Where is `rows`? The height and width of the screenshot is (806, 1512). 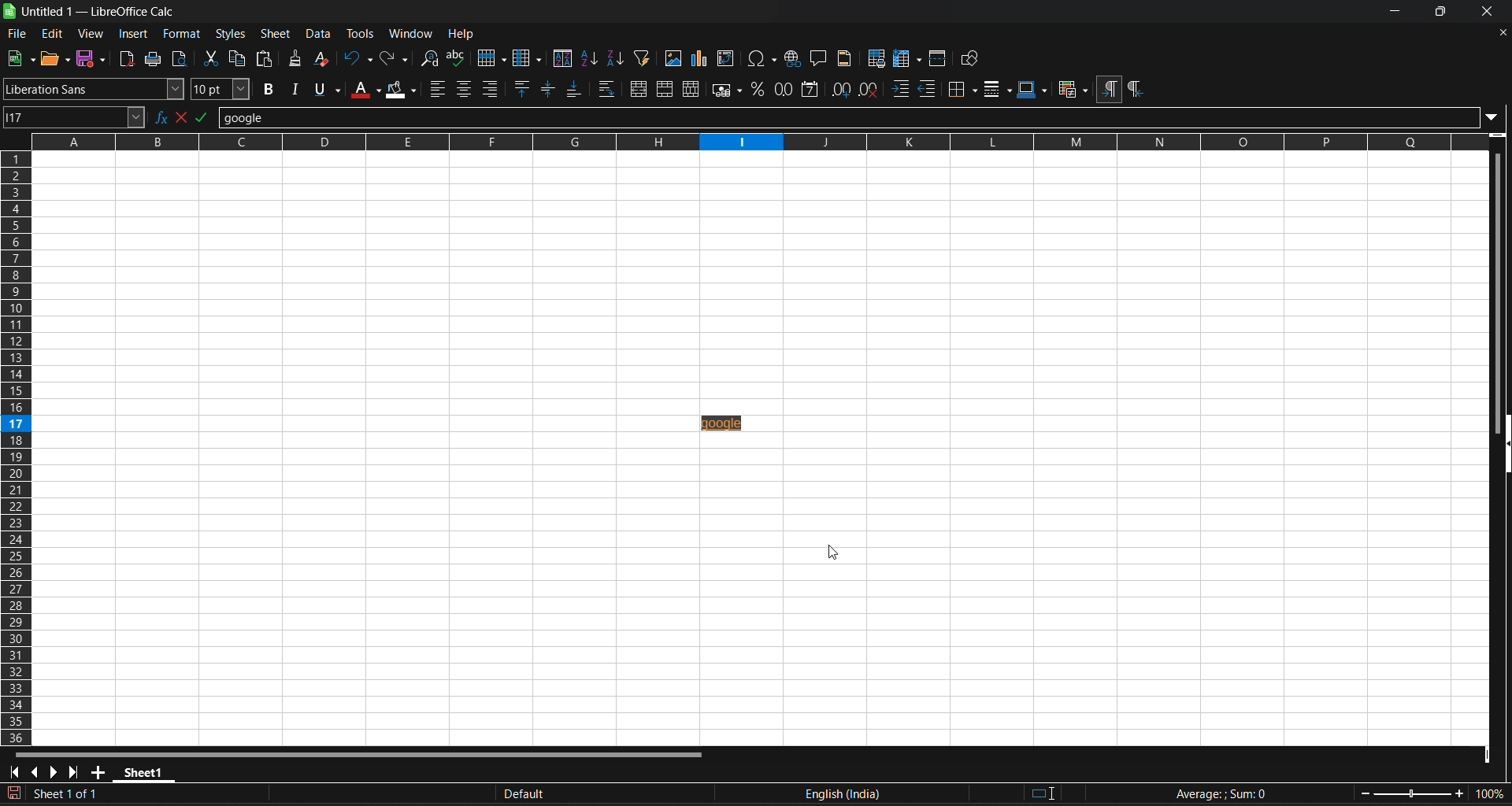 rows is located at coordinates (749, 147).